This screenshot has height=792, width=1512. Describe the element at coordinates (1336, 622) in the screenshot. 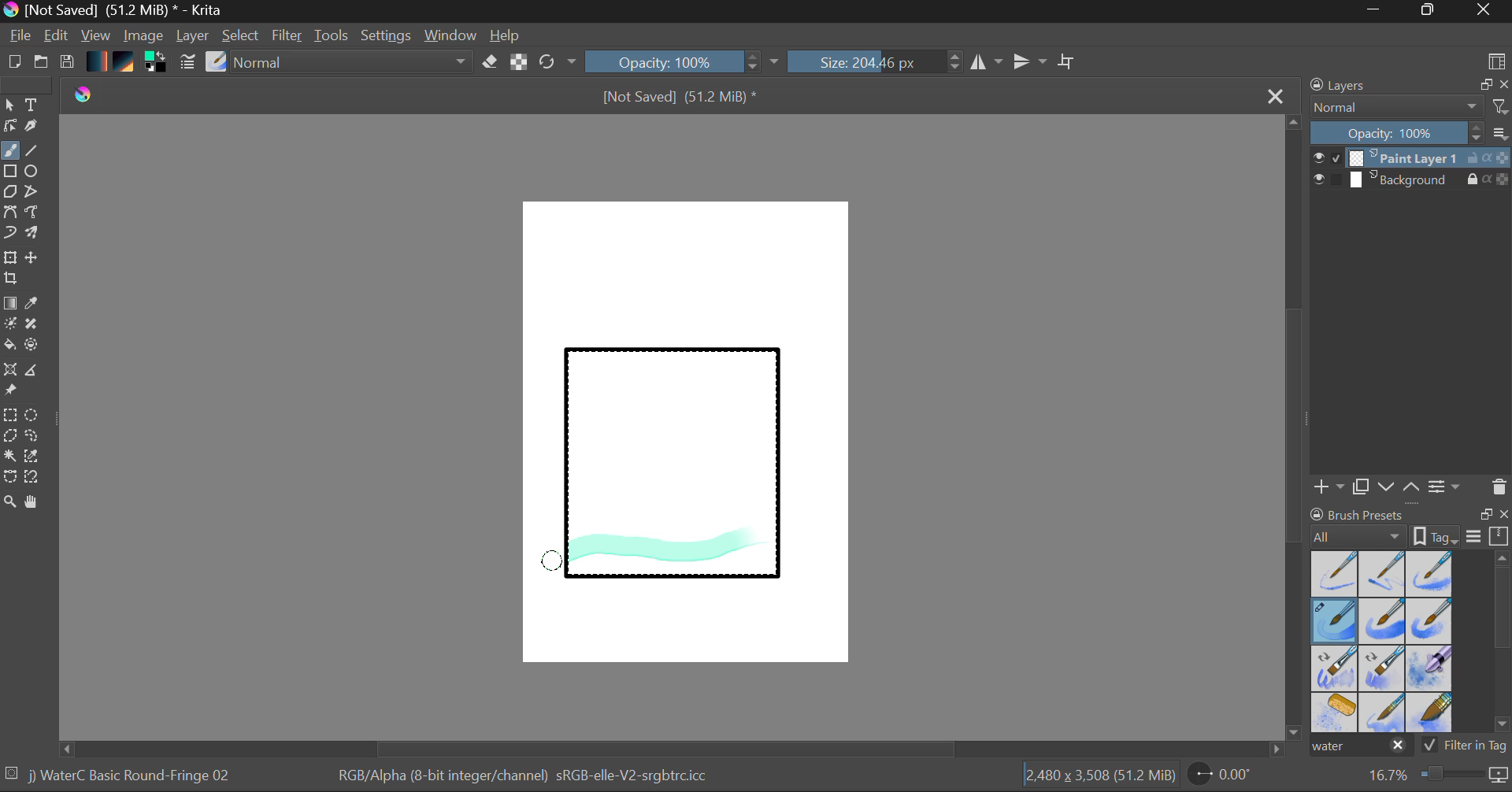

I see `Brush Selected` at that location.